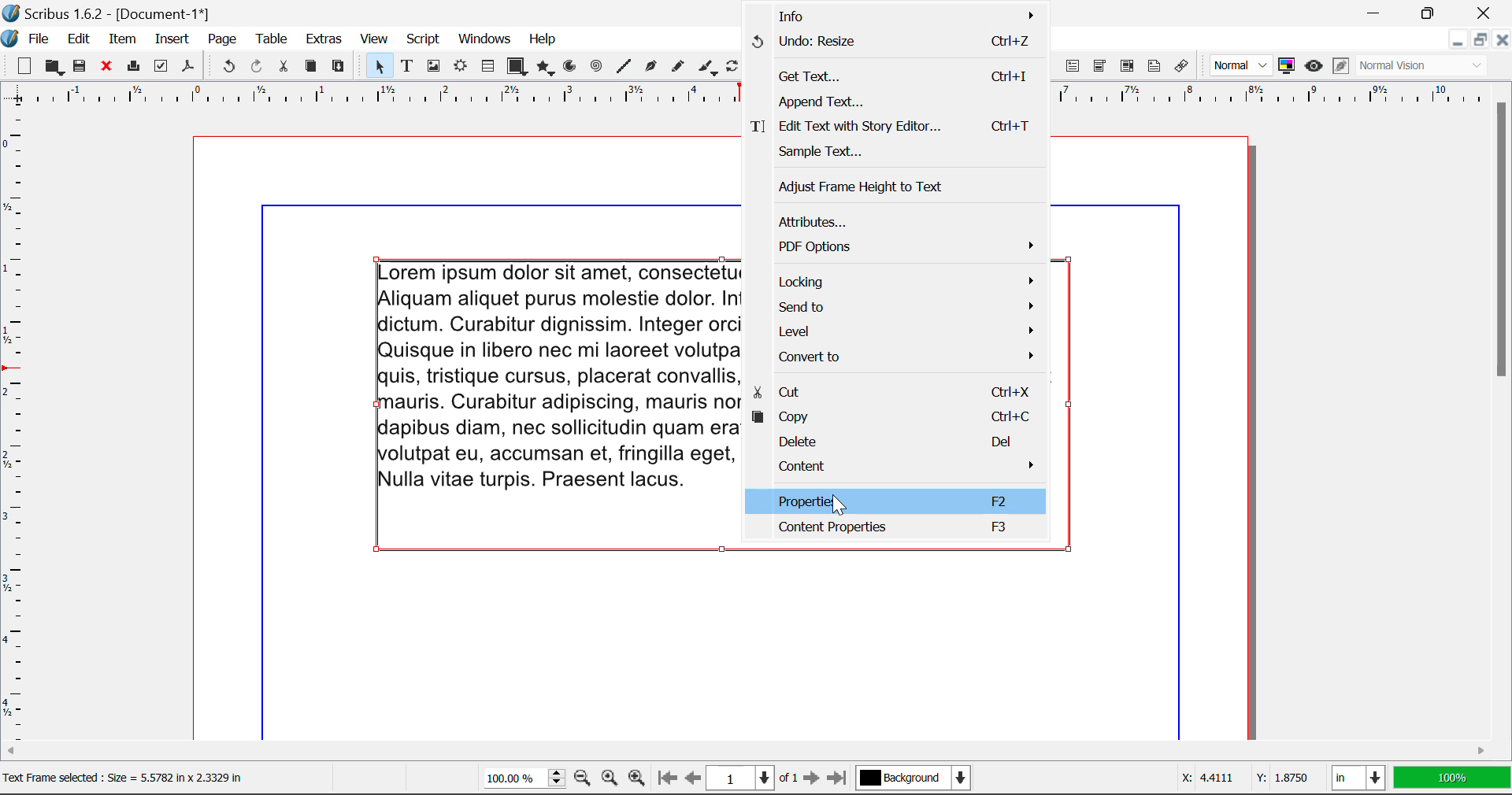  I want to click on Open, so click(56, 68).